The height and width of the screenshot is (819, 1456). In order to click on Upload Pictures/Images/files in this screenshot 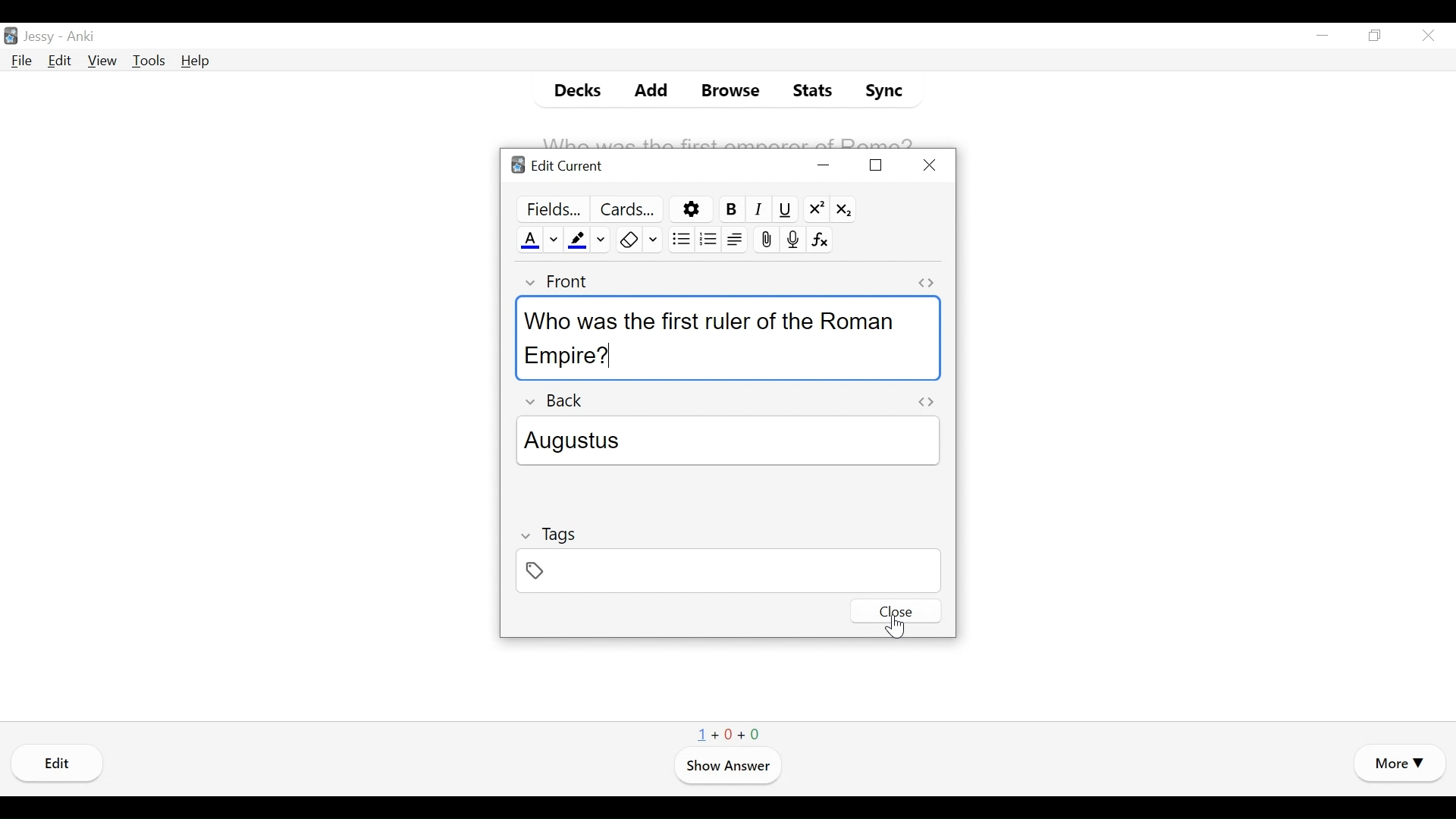, I will do `click(765, 240)`.